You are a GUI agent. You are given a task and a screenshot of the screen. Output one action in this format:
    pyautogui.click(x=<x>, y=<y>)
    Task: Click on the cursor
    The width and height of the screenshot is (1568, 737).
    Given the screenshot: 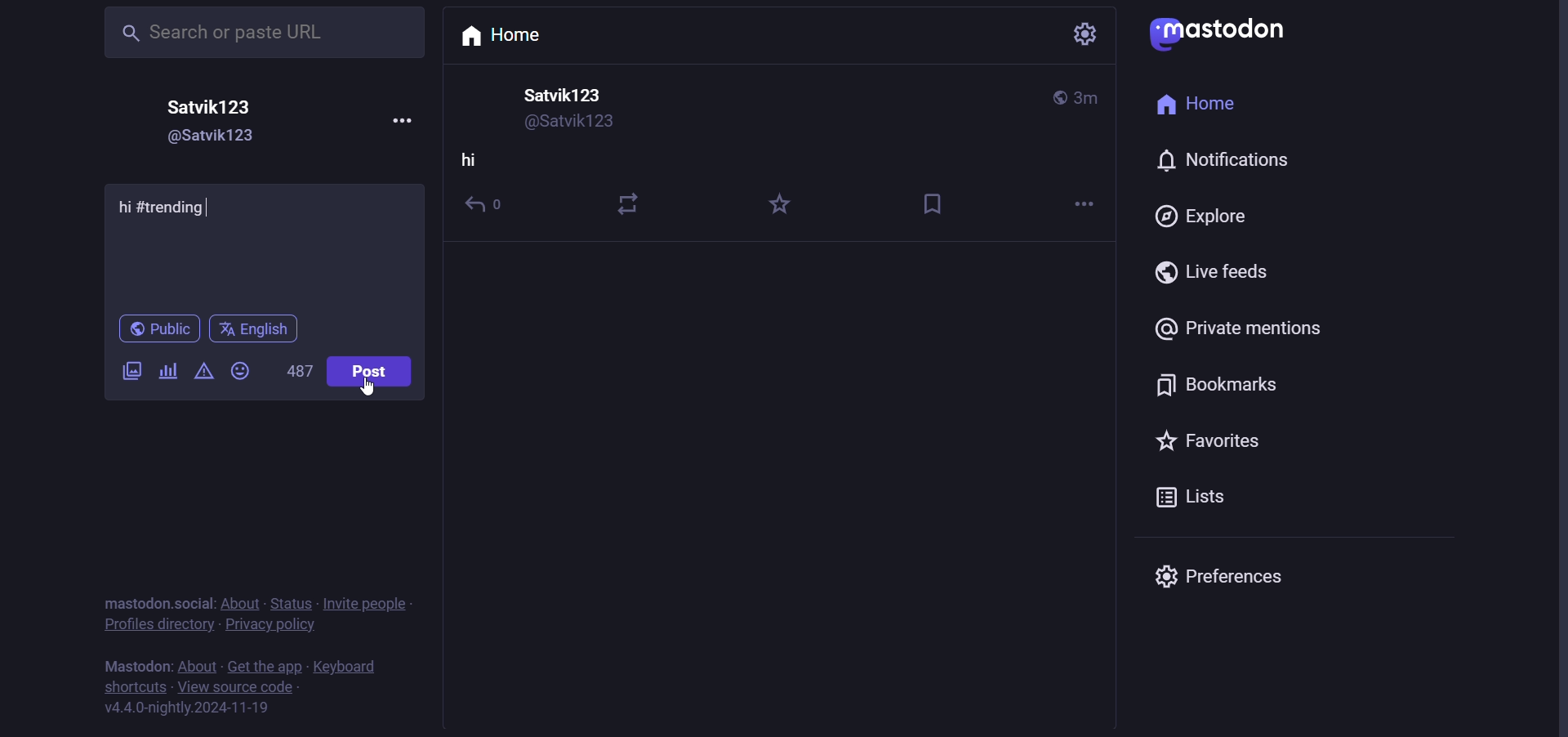 What is the action you would take?
    pyautogui.click(x=367, y=388)
    